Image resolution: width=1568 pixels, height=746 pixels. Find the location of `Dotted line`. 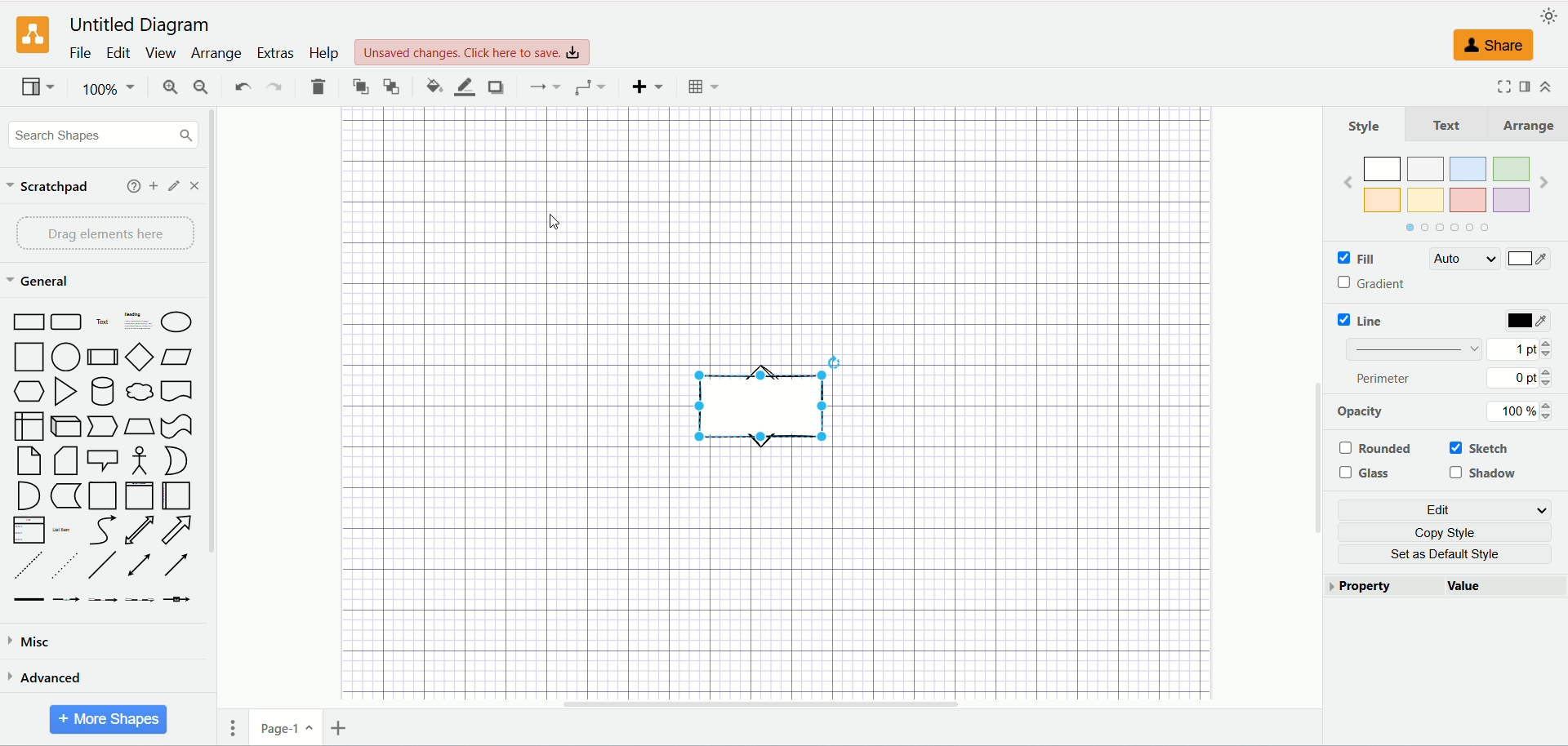

Dotted line is located at coordinates (64, 564).